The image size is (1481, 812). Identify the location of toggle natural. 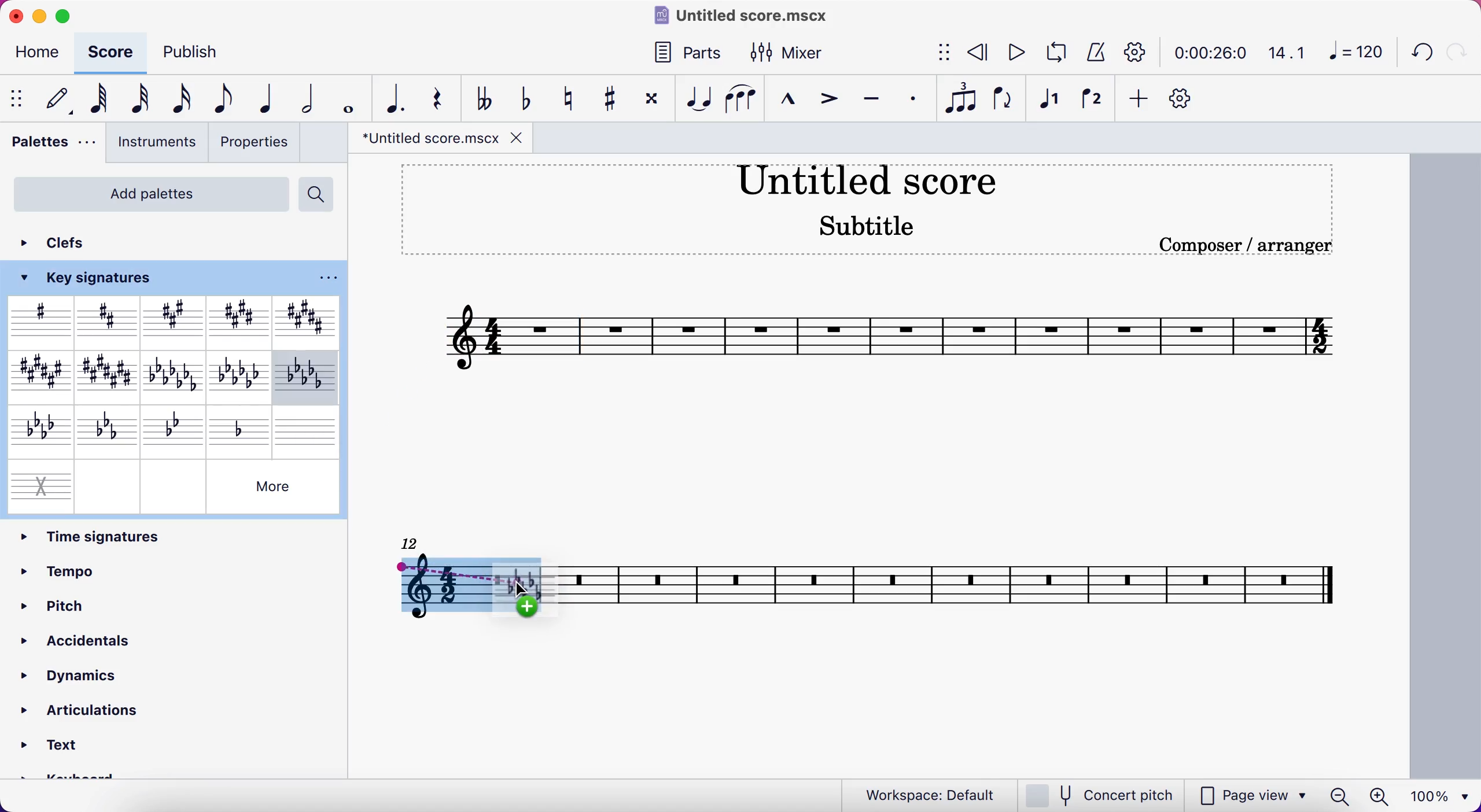
(571, 101).